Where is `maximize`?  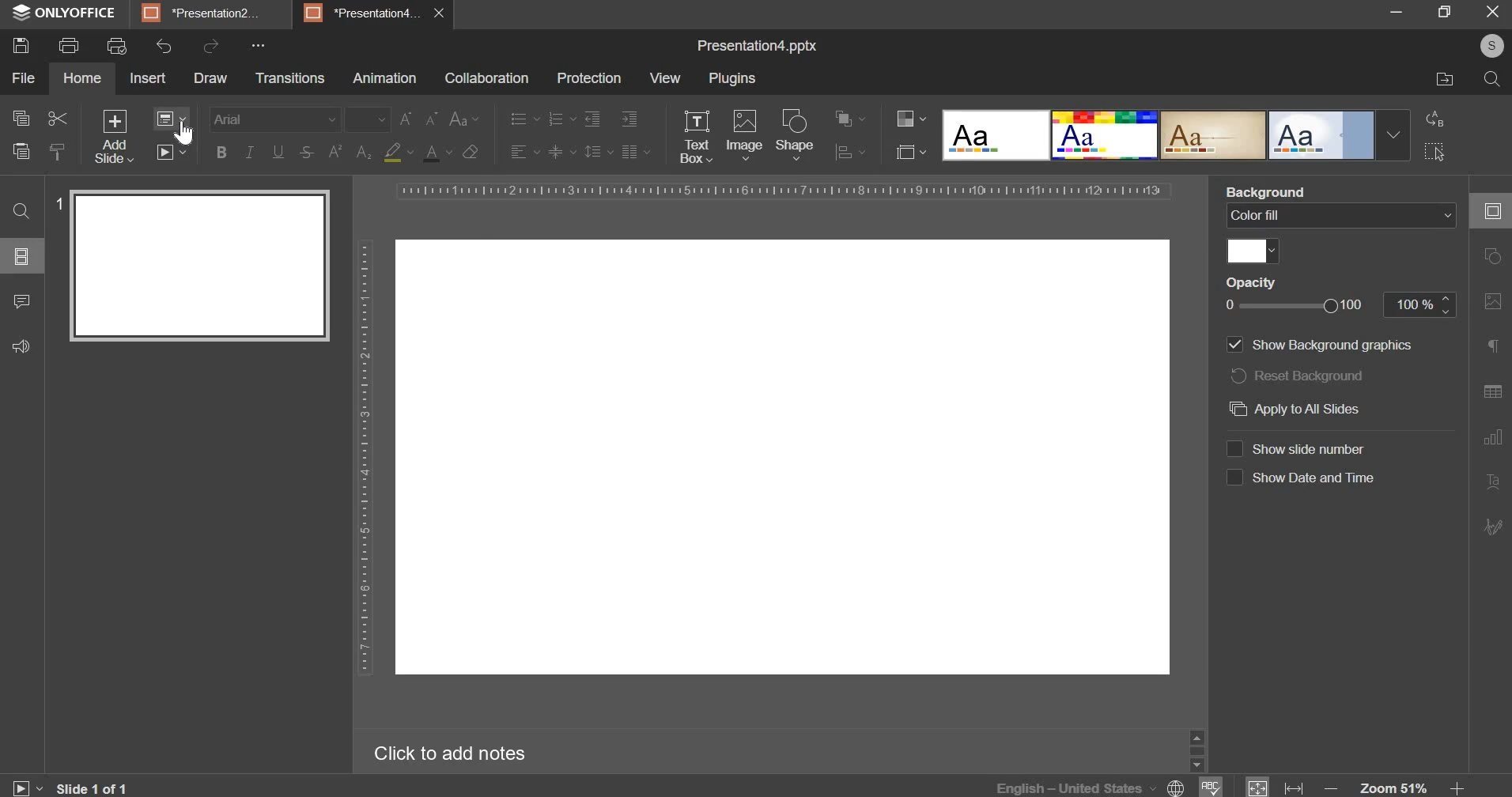 maximize is located at coordinates (1446, 11).